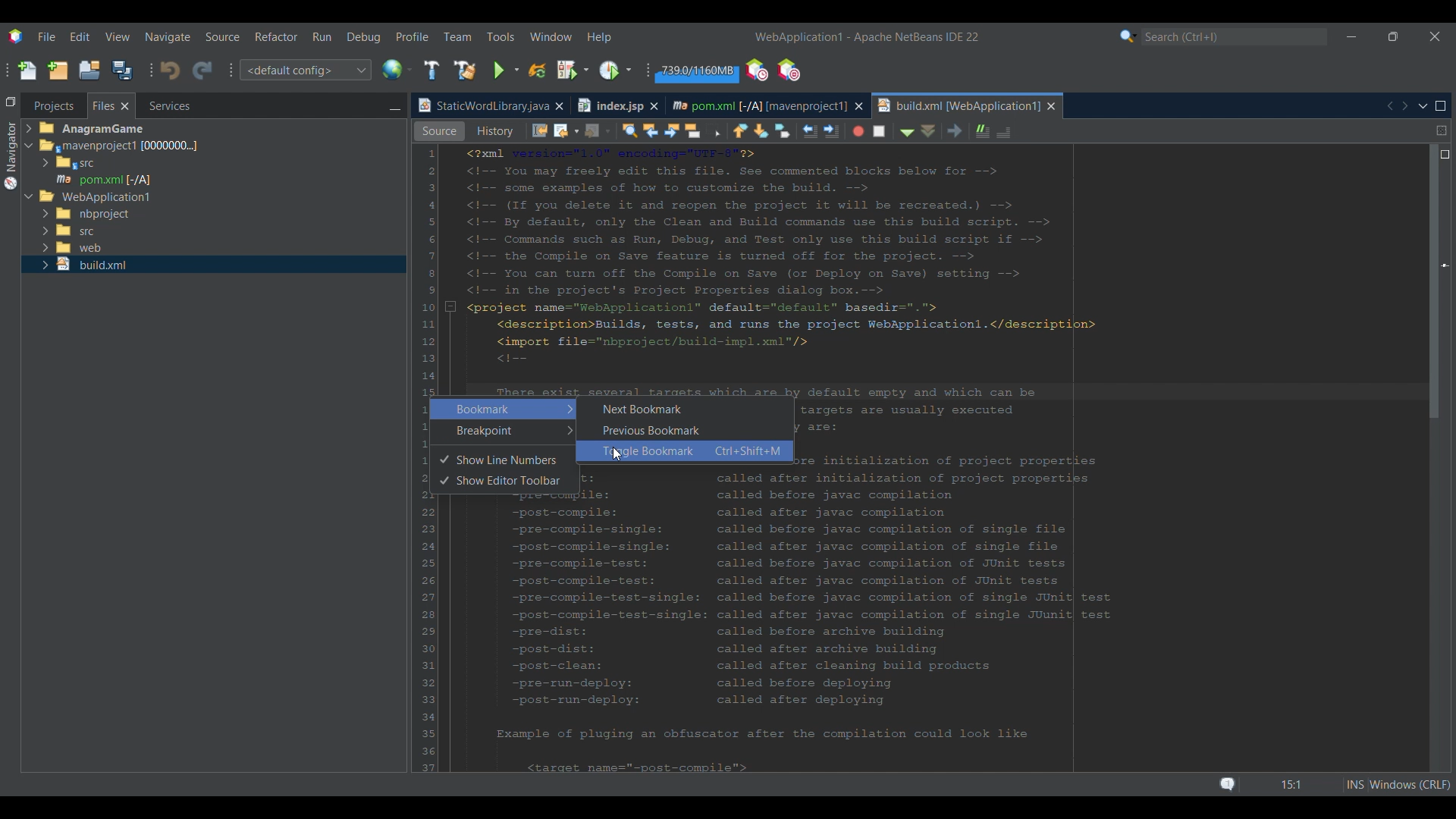 The width and height of the screenshot is (1456, 819). I want to click on Run menu, so click(322, 36).